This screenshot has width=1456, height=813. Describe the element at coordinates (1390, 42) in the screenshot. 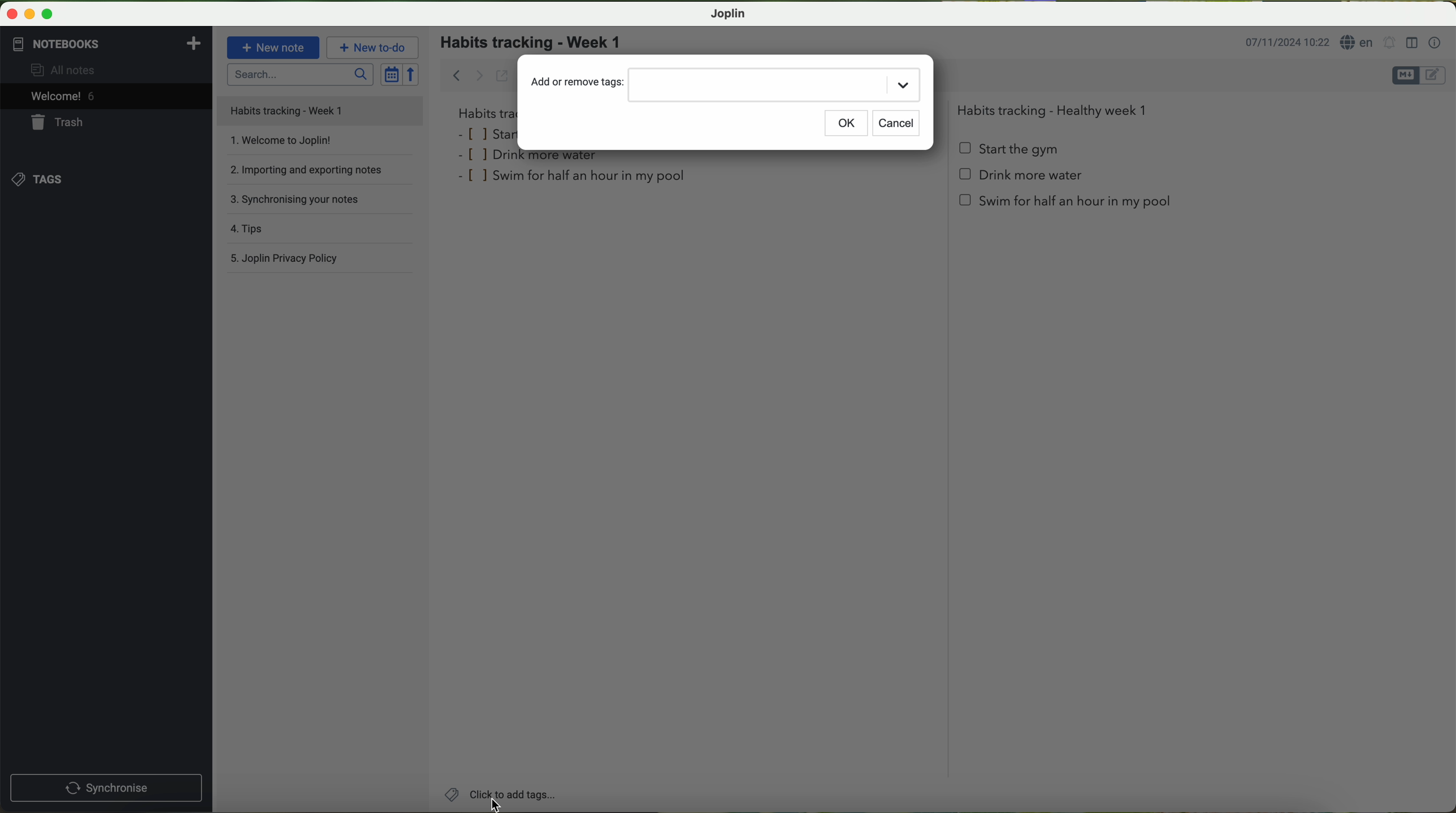

I see `set alarm` at that location.